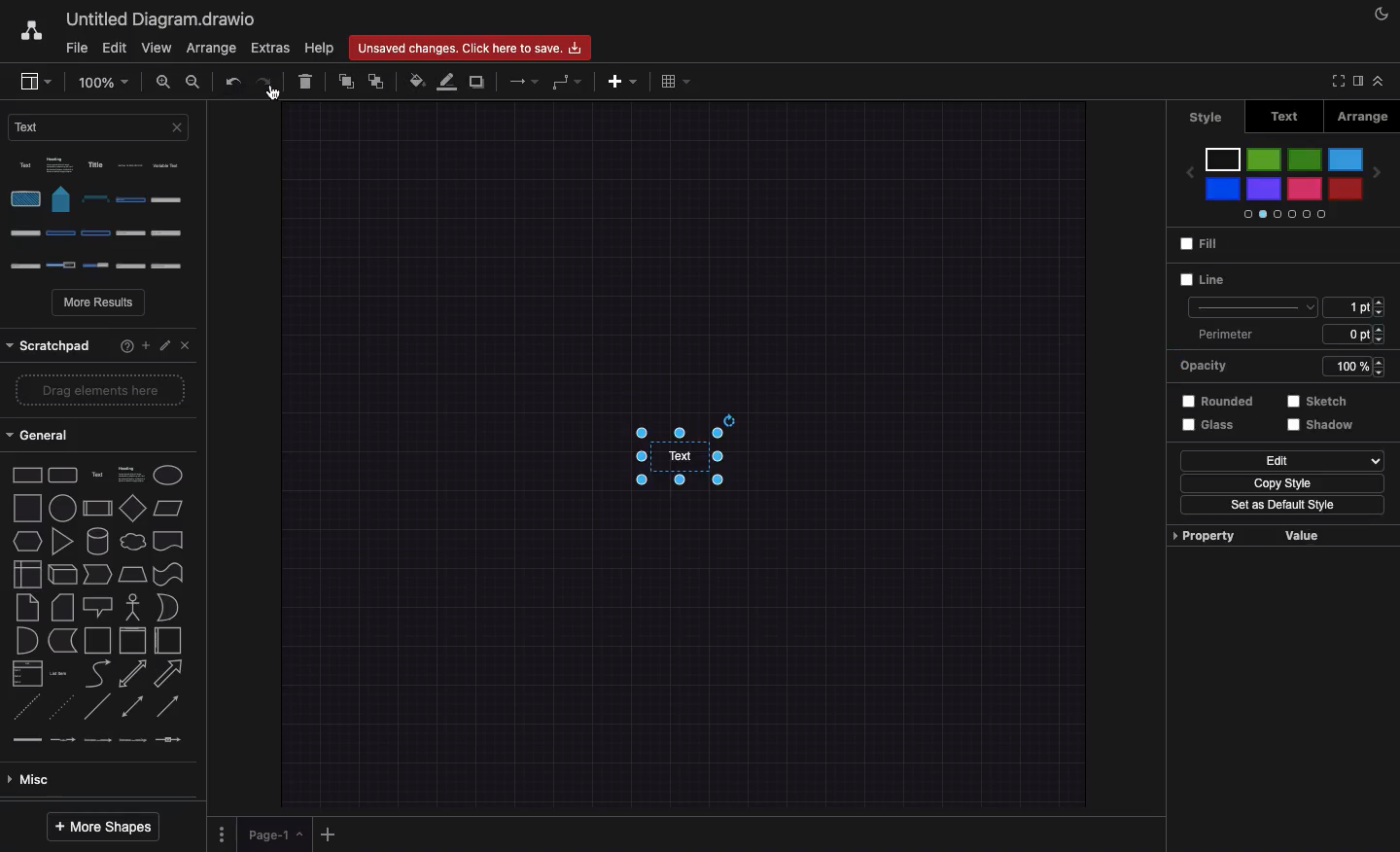  I want to click on Copy style, so click(1276, 483).